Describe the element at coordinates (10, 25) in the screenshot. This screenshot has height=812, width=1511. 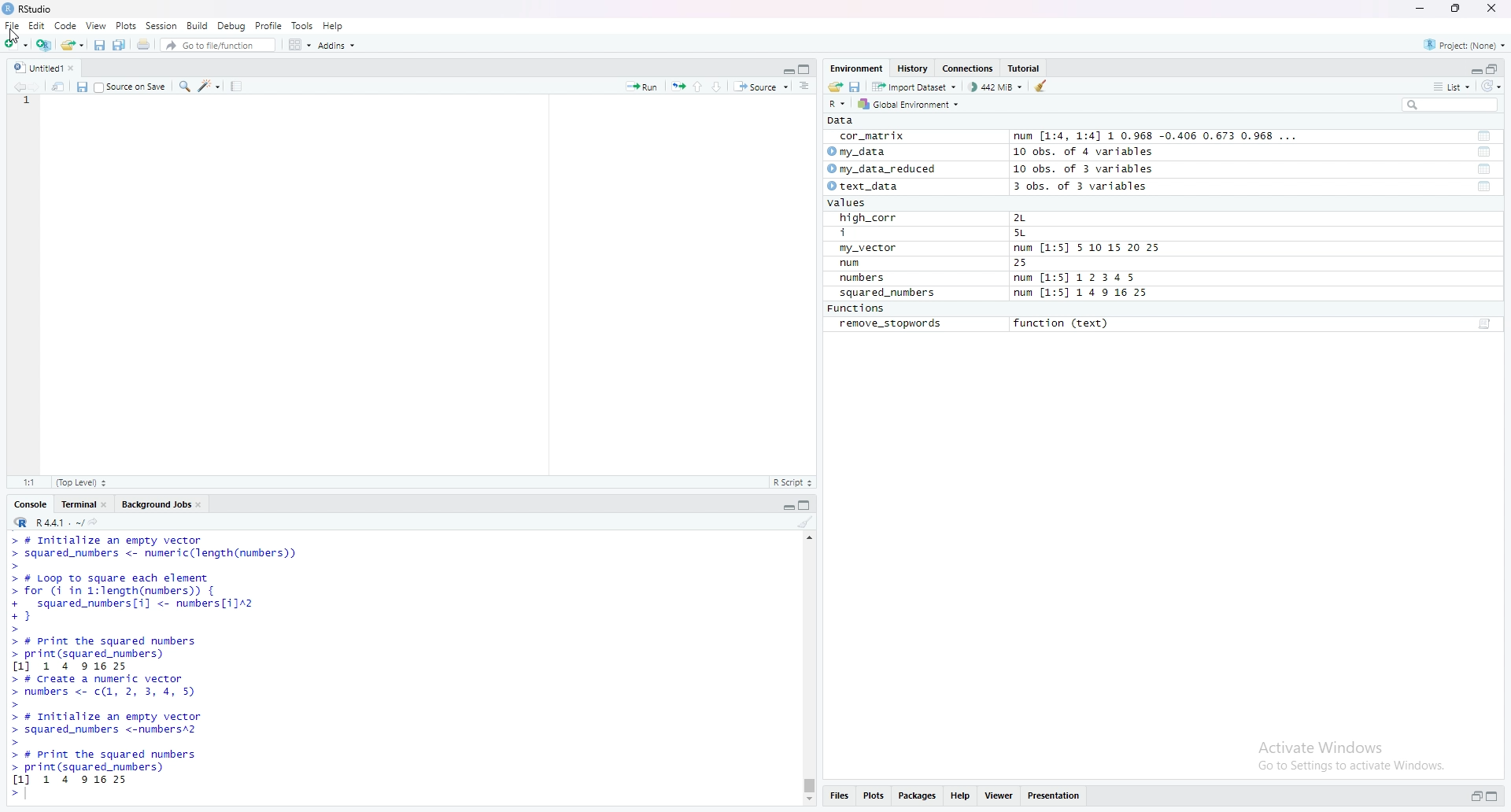
I see `File` at that location.